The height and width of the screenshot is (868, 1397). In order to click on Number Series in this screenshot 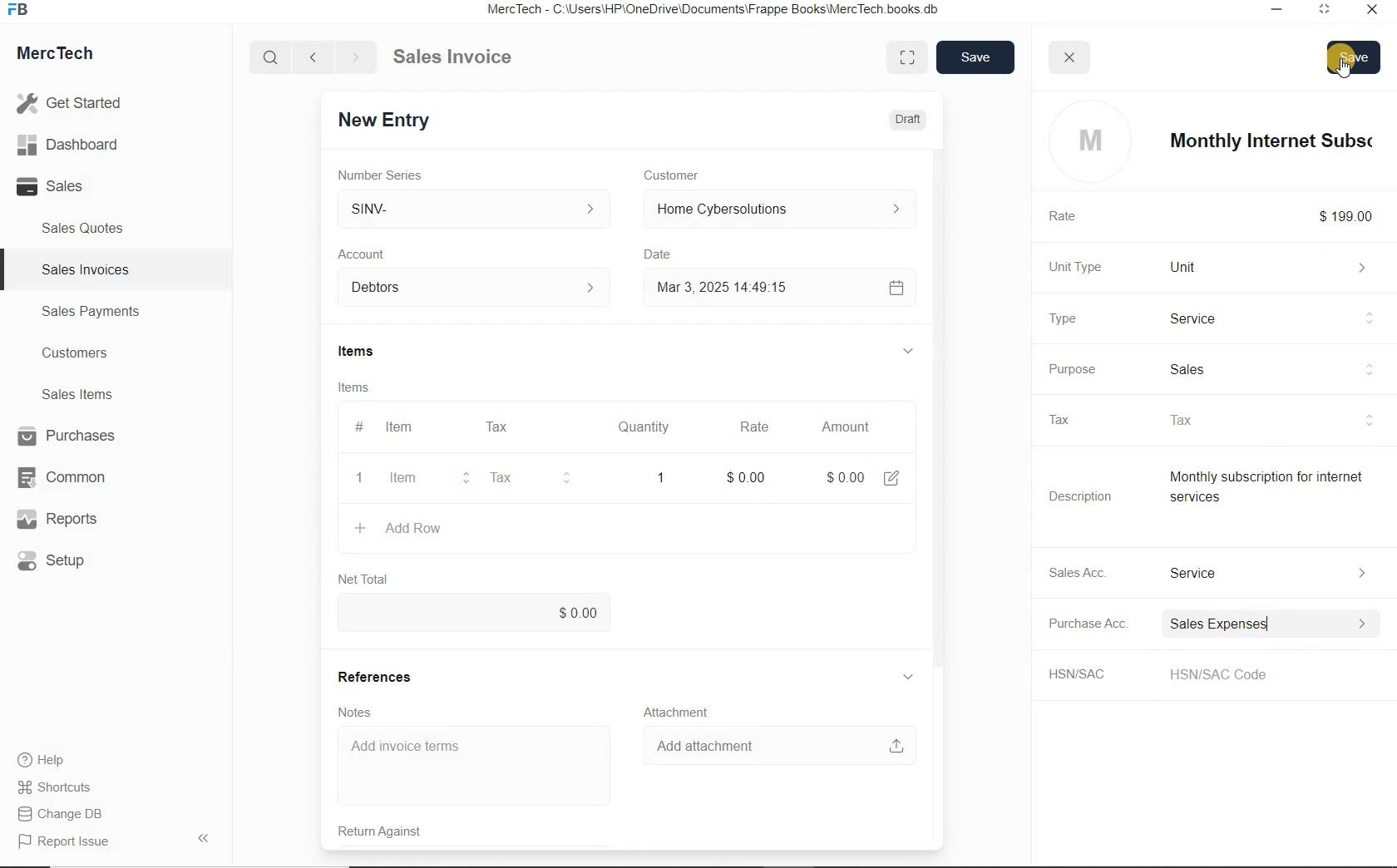, I will do `click(390, 173)`.